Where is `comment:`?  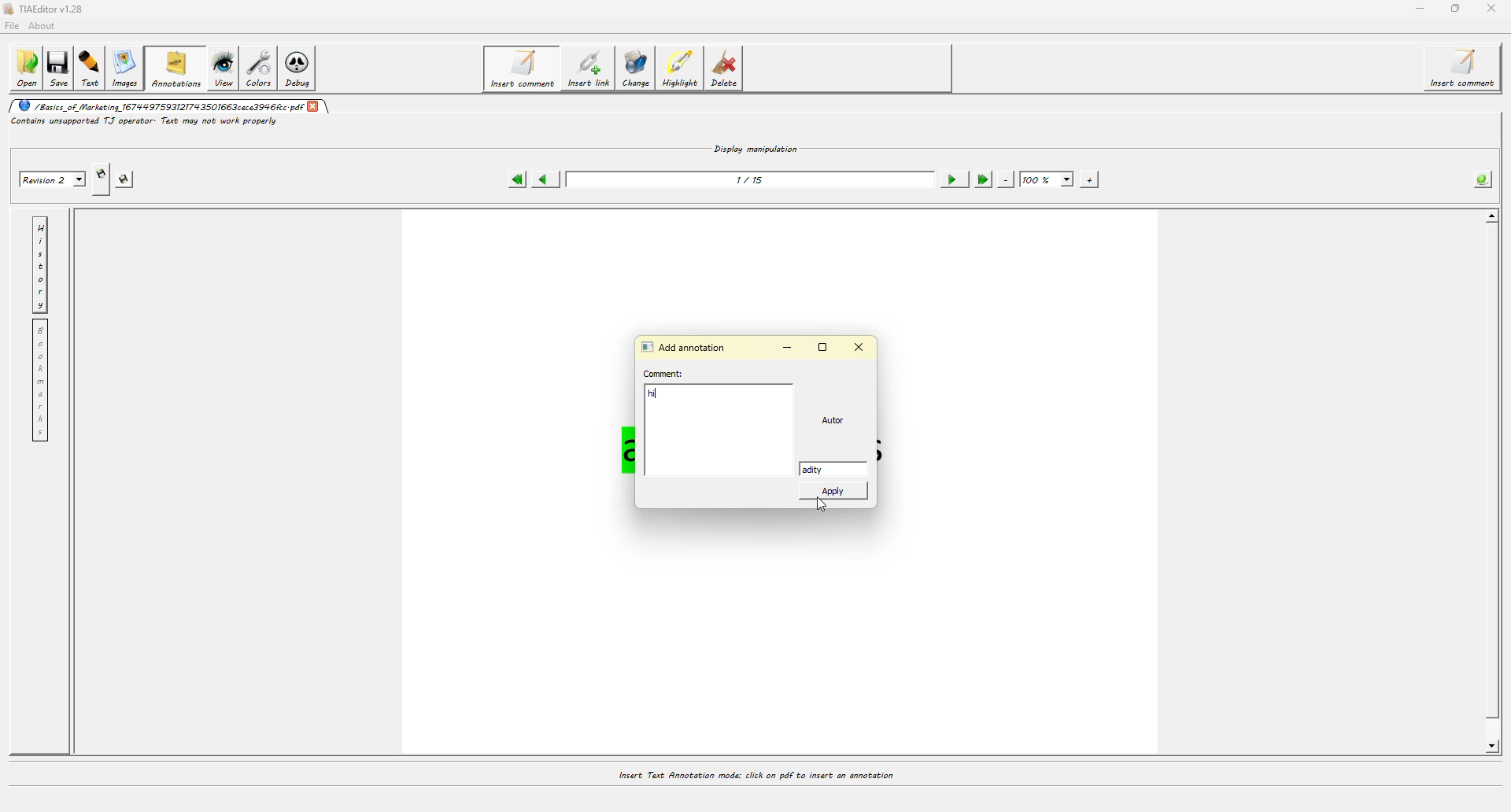 comment: is located at coordinates (667, 374).